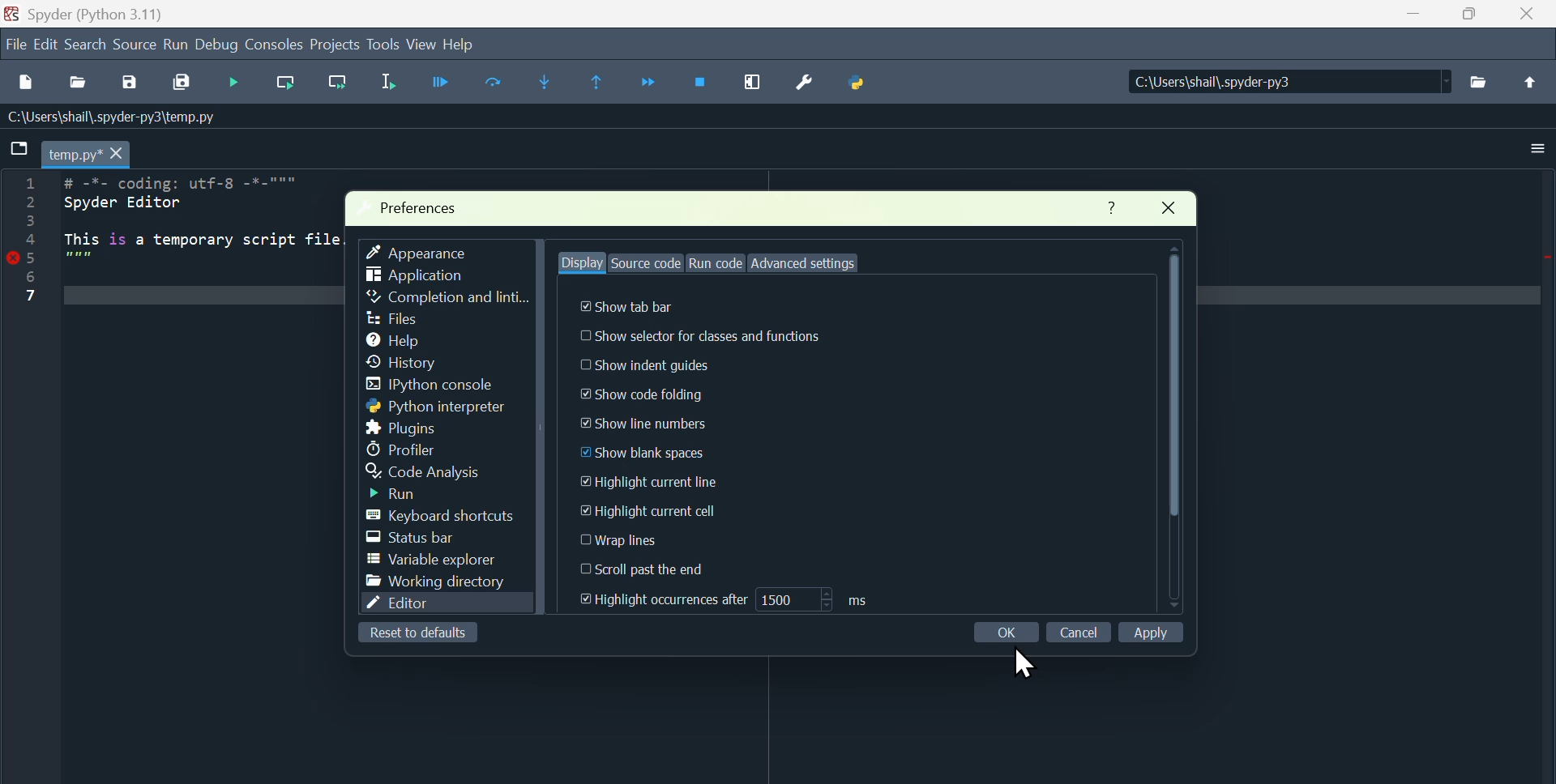  I want to click on Highlight occurences after, so click(719, 599).